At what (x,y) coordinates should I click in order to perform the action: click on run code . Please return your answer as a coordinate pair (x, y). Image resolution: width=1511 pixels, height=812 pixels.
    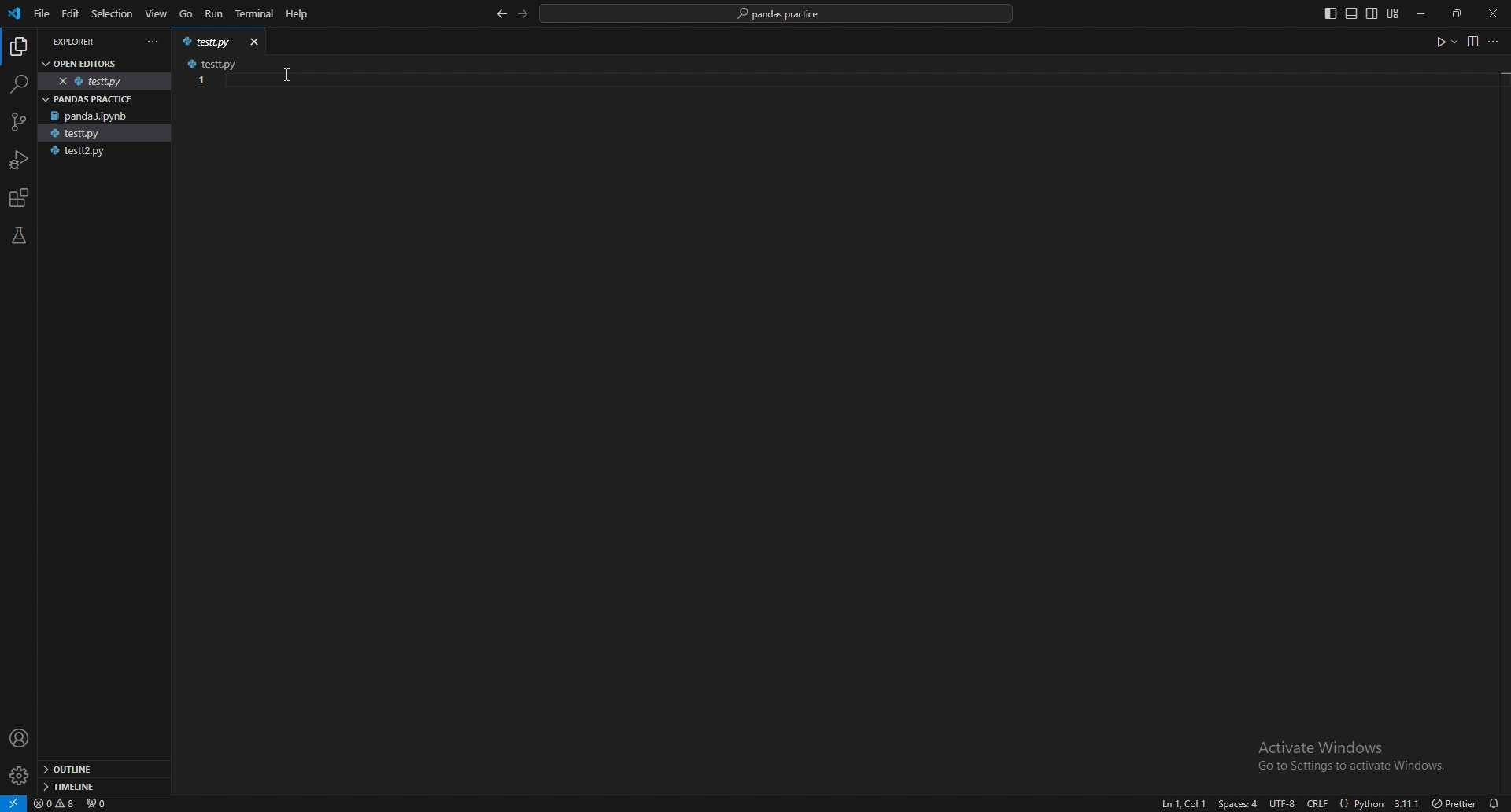
    Looking at the image, I should click on (1445, 42).